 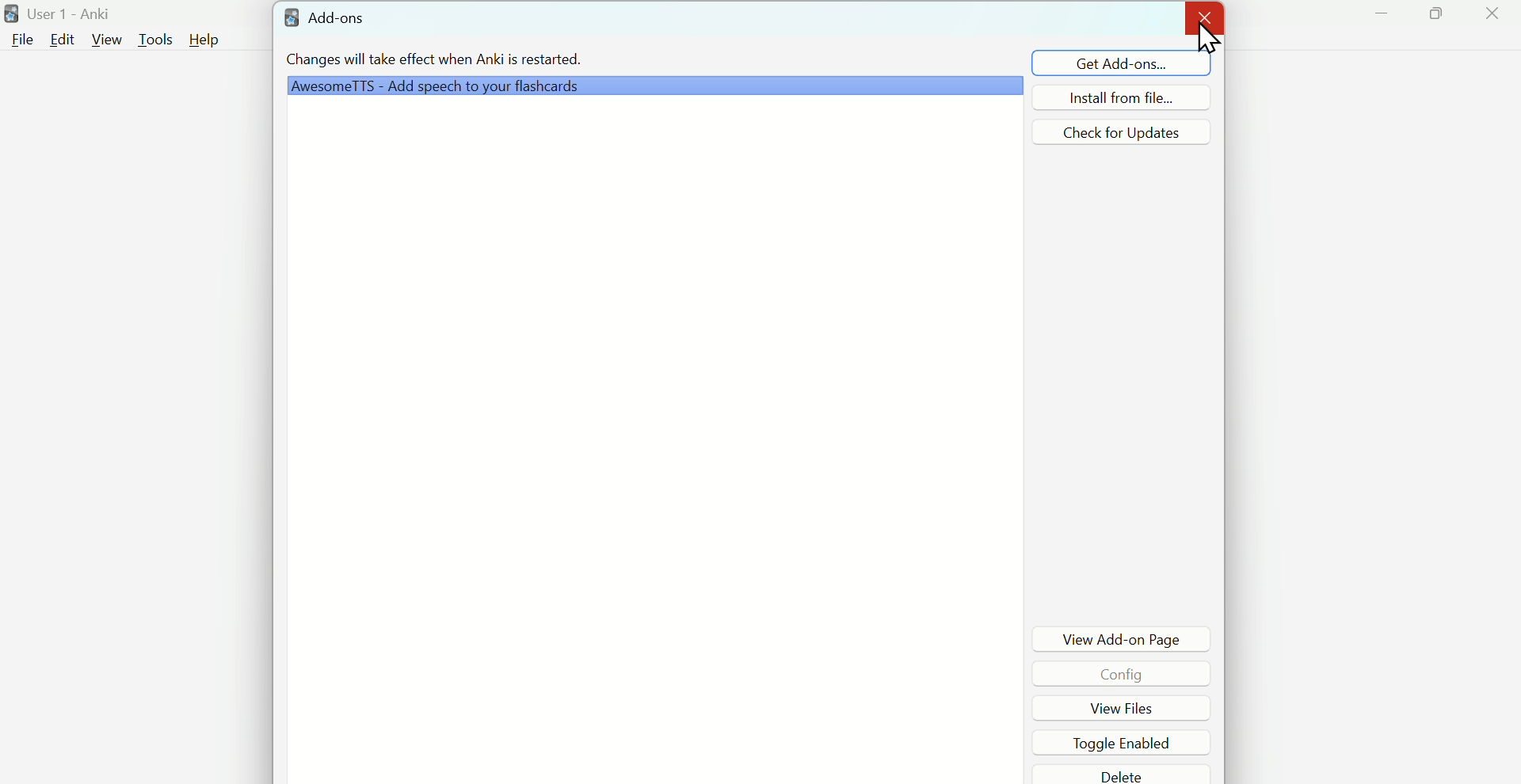 I want to click on & Add-ons, so click(x=350, y=20).